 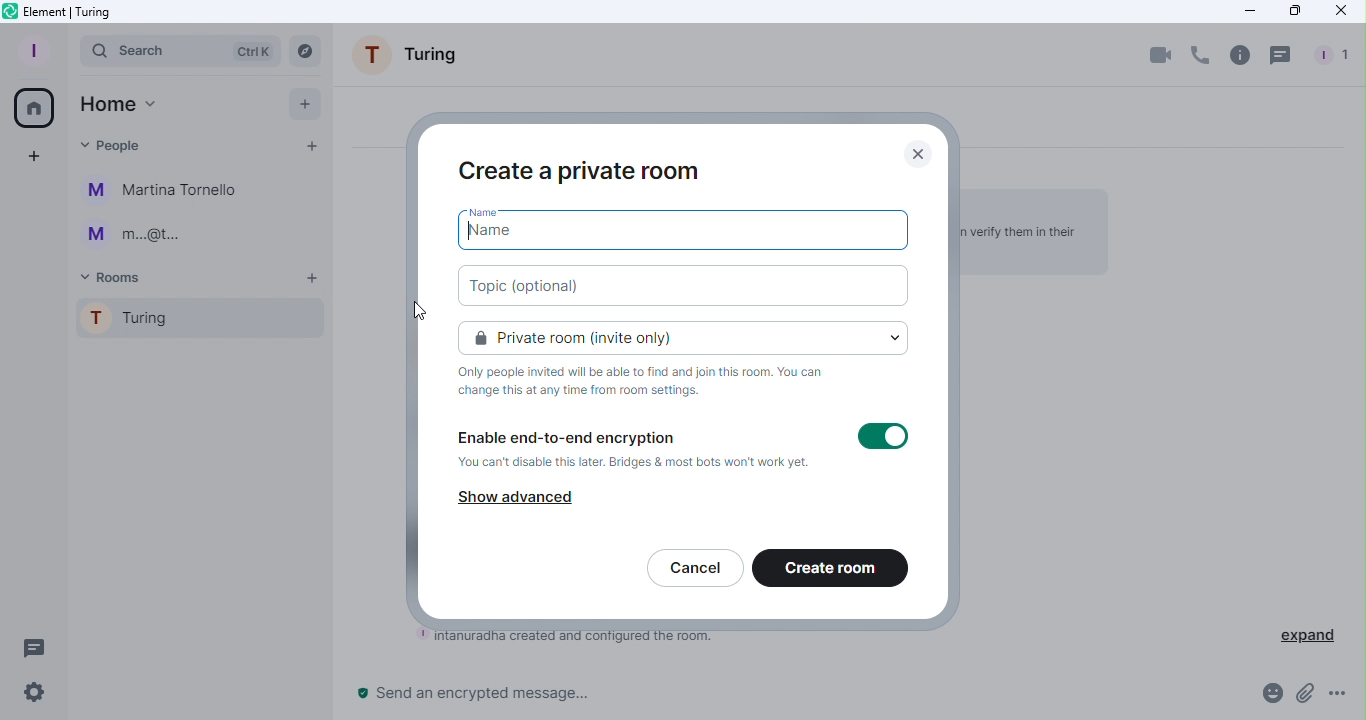 I want to click on Minimize, so click(x=1245, y=11).